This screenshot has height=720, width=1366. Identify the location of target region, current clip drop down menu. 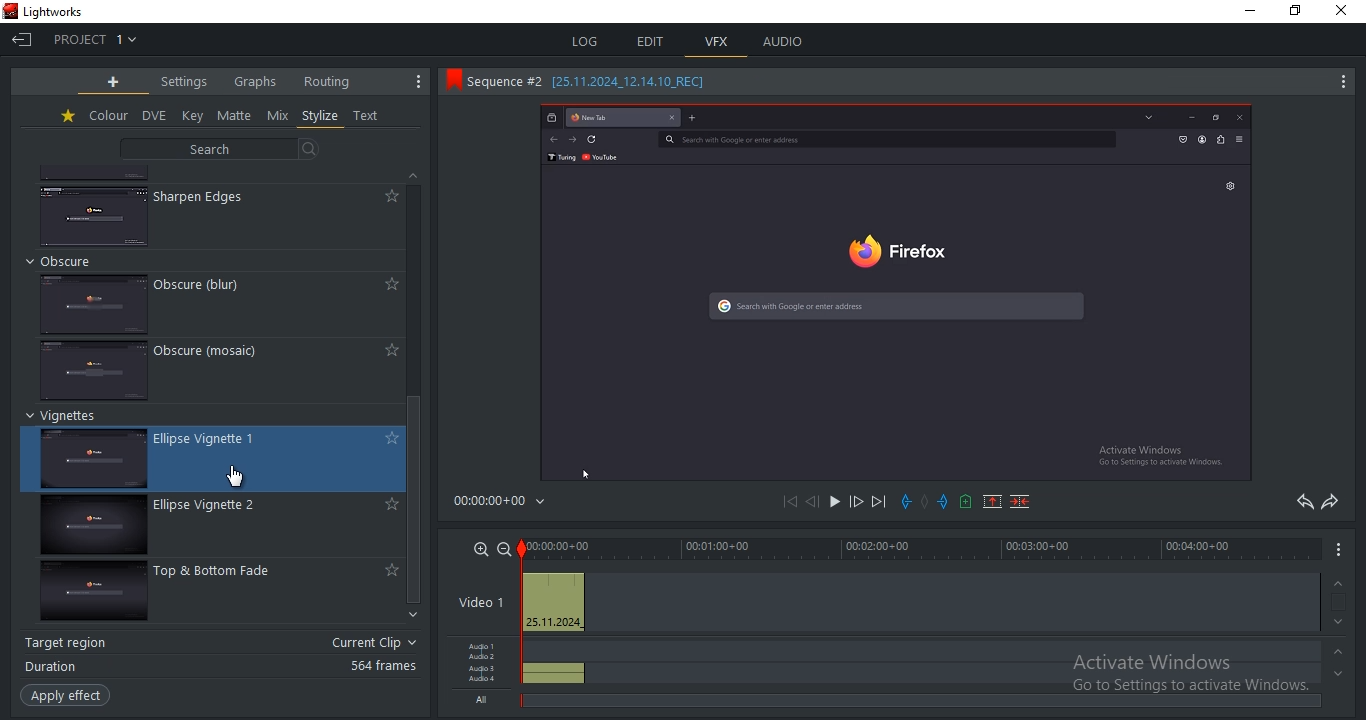
(222, 641).